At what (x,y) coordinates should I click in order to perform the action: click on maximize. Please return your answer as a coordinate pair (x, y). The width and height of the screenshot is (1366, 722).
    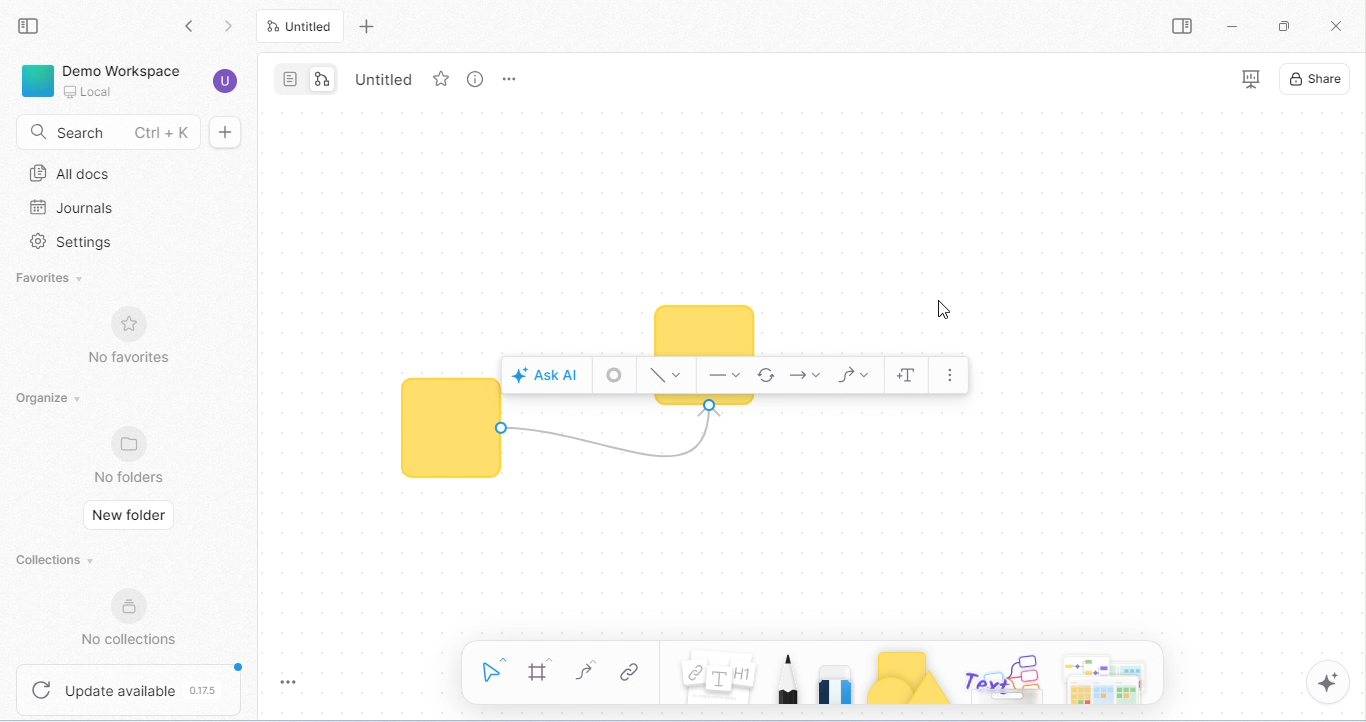
    Looking at the image, I should click on (1284, 26).